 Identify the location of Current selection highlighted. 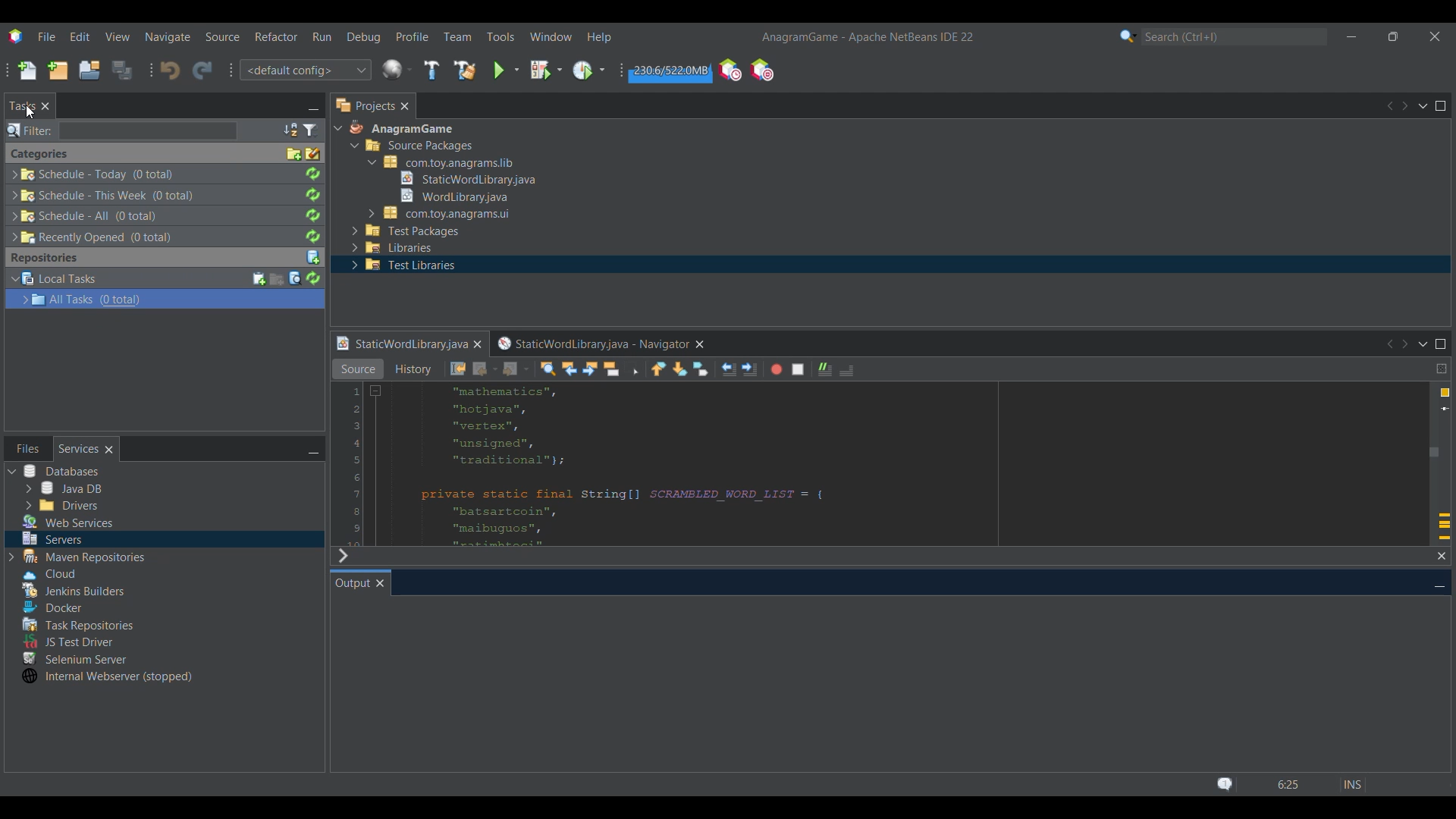
(235, 299).